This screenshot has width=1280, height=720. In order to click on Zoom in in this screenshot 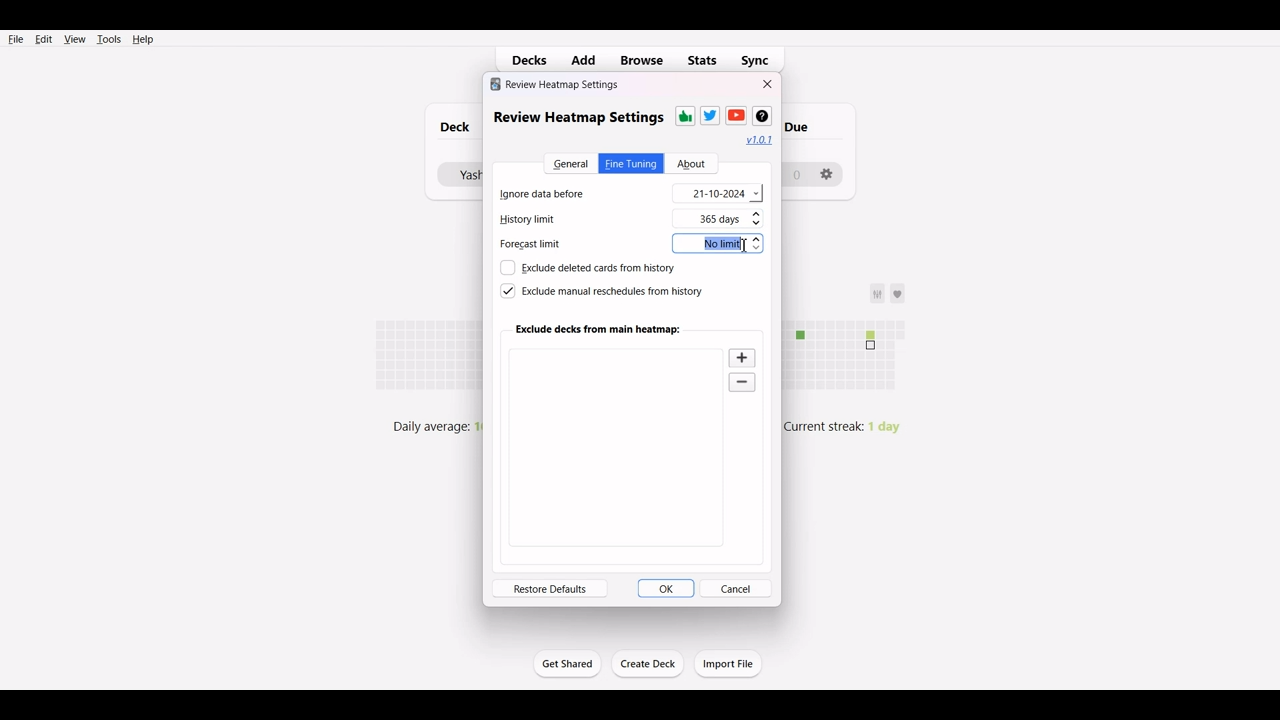, I will do `click(743, 357)`.